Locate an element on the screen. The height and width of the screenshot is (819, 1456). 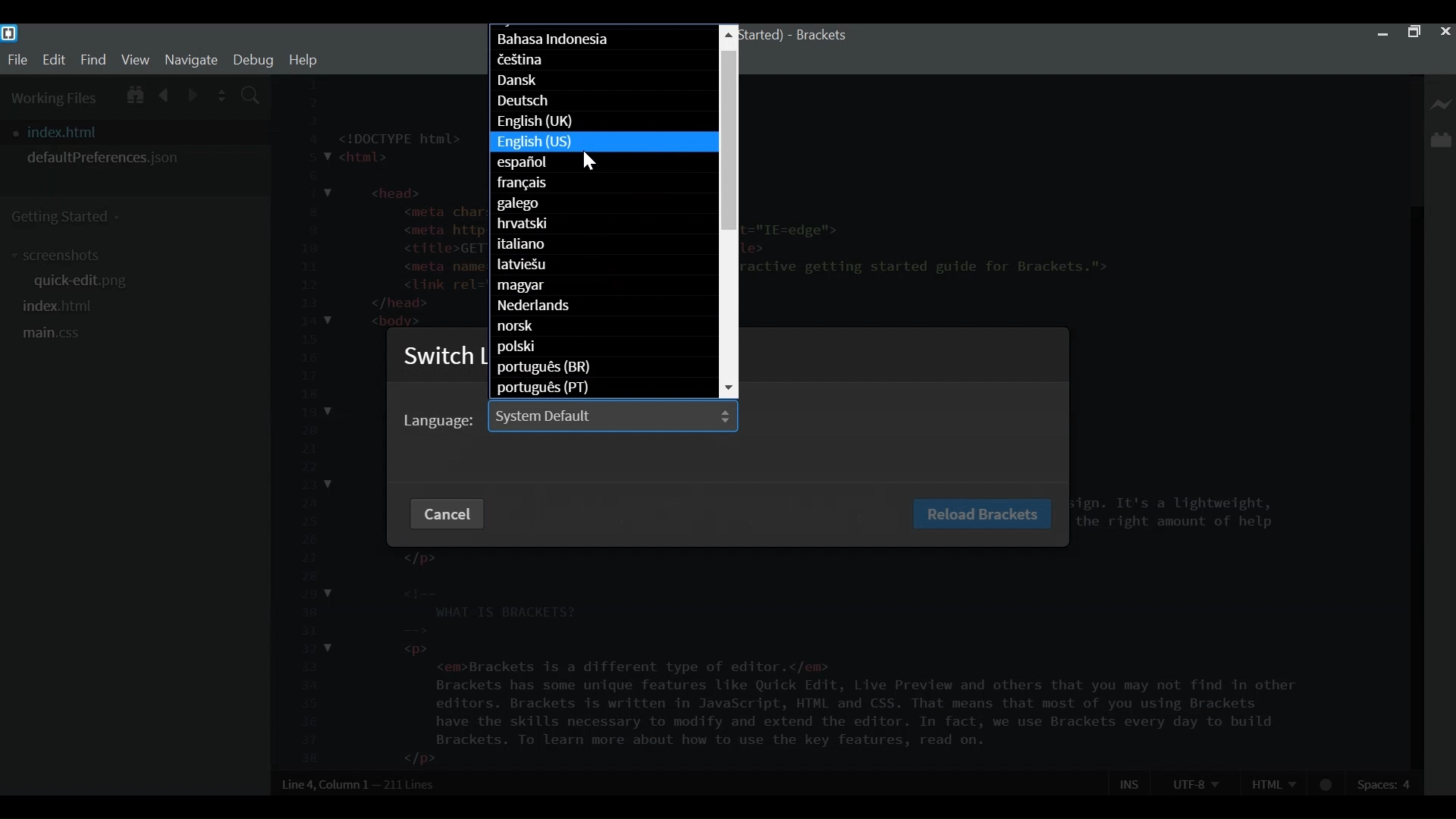
Vertical Scroll bar is located at coordinates (1414, 488).